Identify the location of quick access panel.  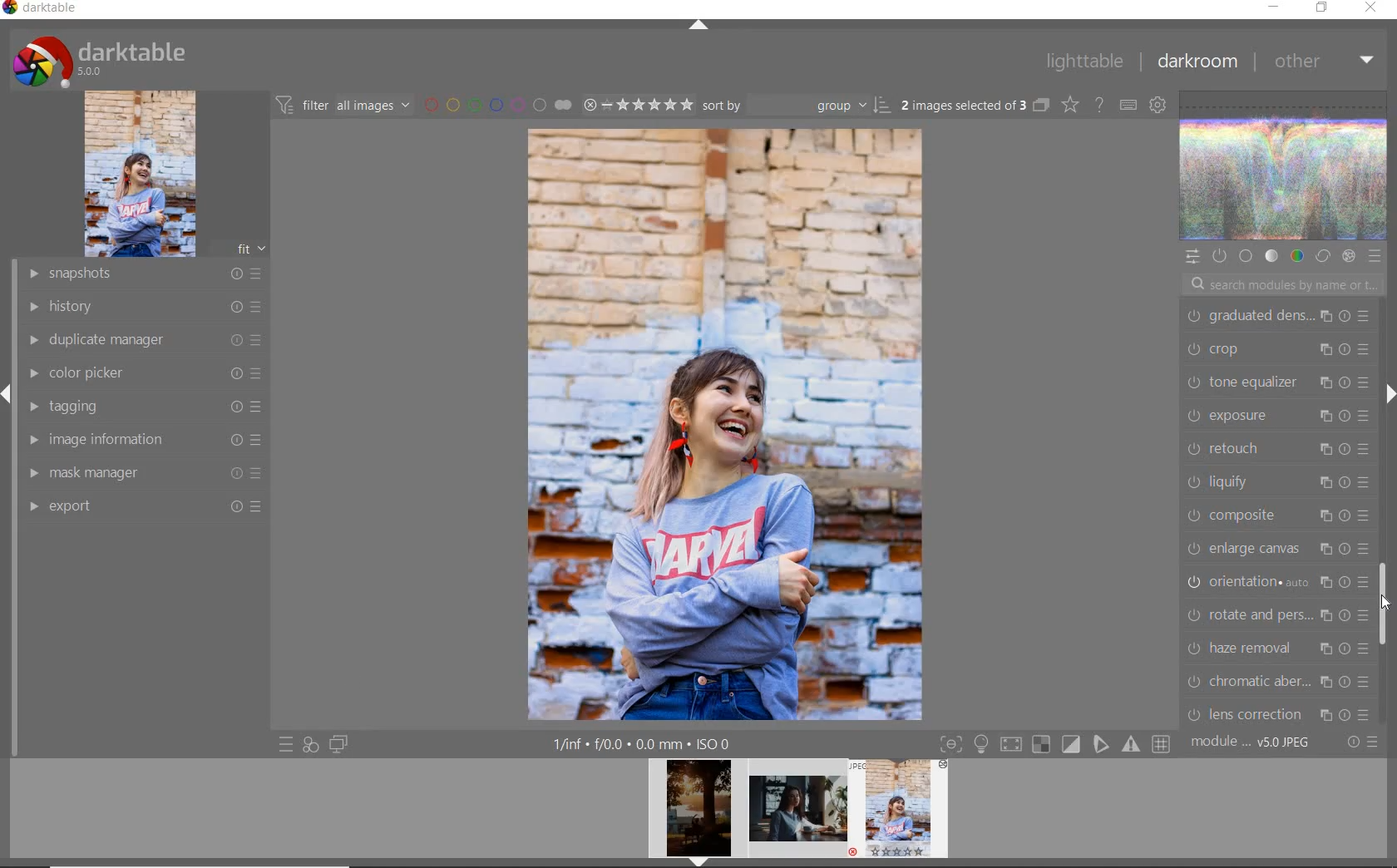
(1192, 257).